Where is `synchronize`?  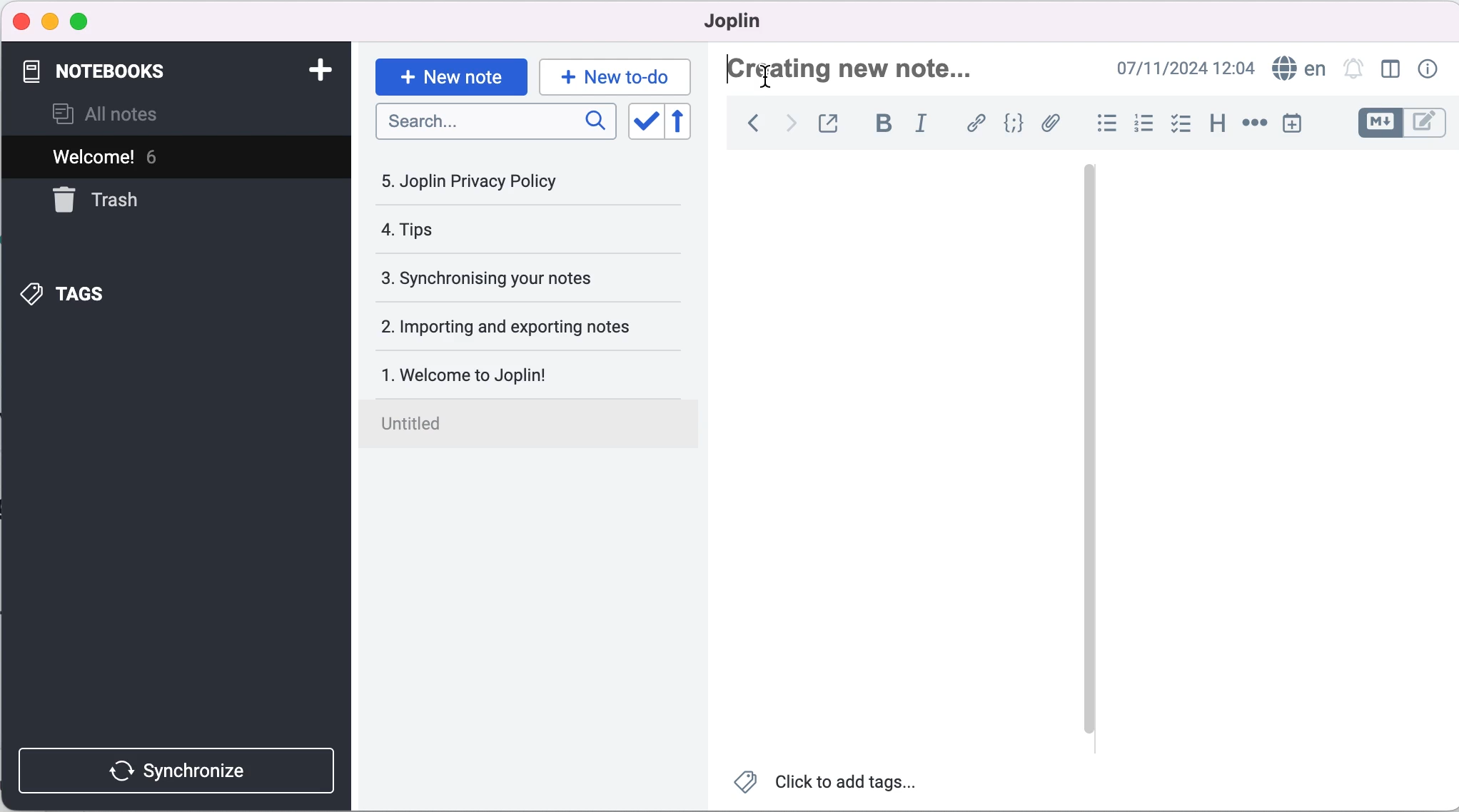 synchronize is located at coordinates (175, 763).